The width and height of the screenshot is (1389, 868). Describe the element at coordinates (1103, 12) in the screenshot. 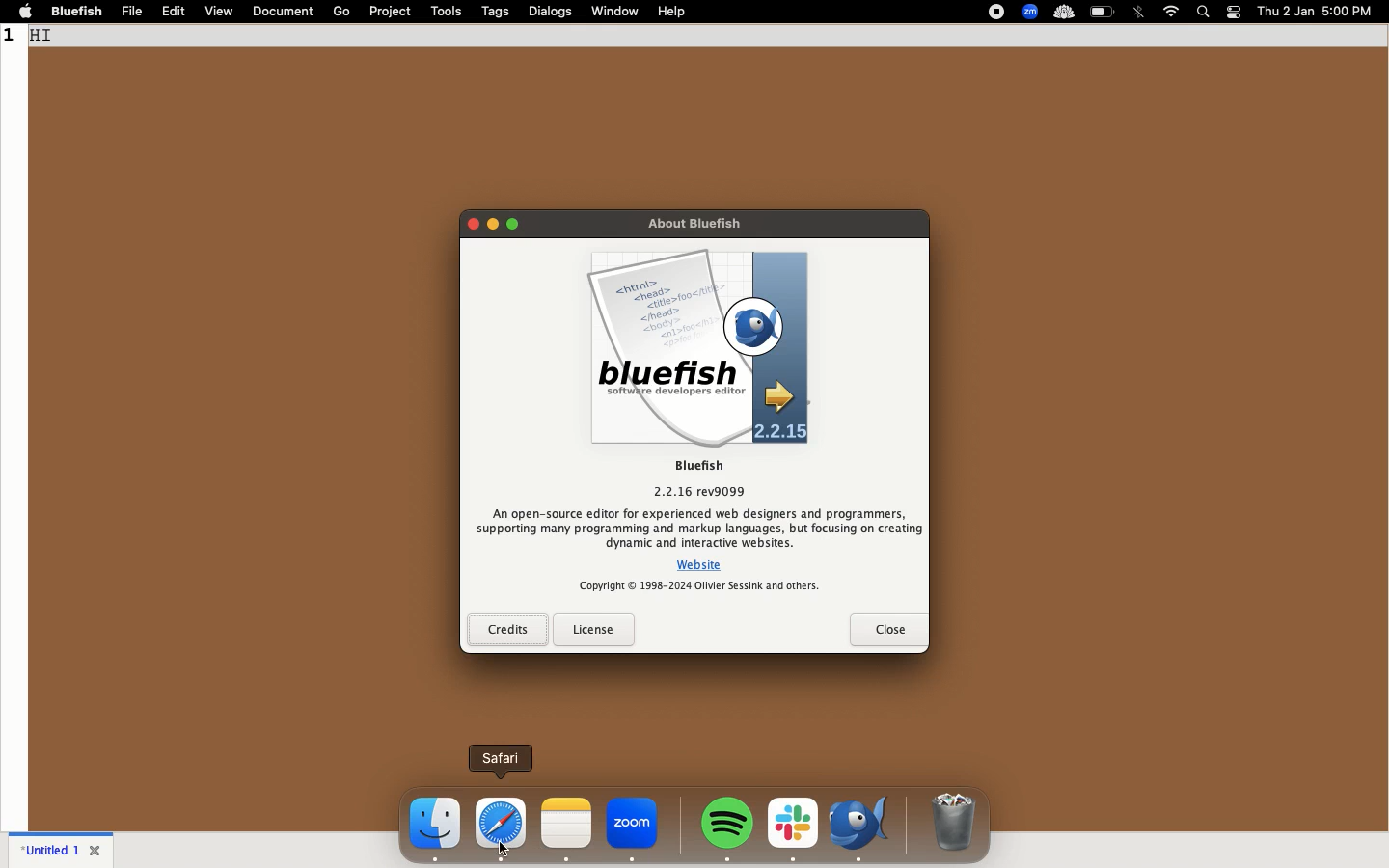

I see `charge` at that location.